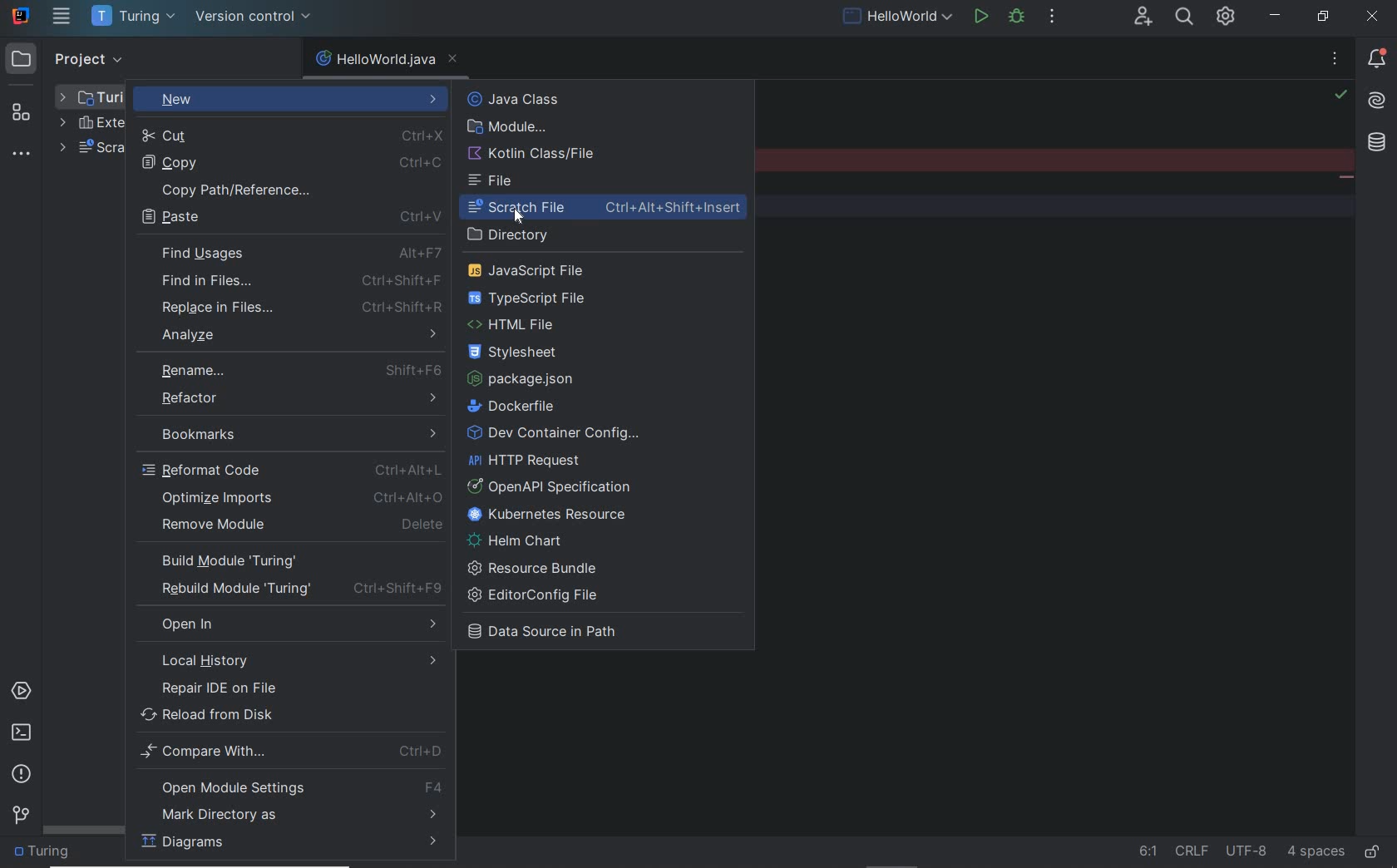 This screenshot has width=1397, height=868. I want to click on more options, so click(1335, 62).